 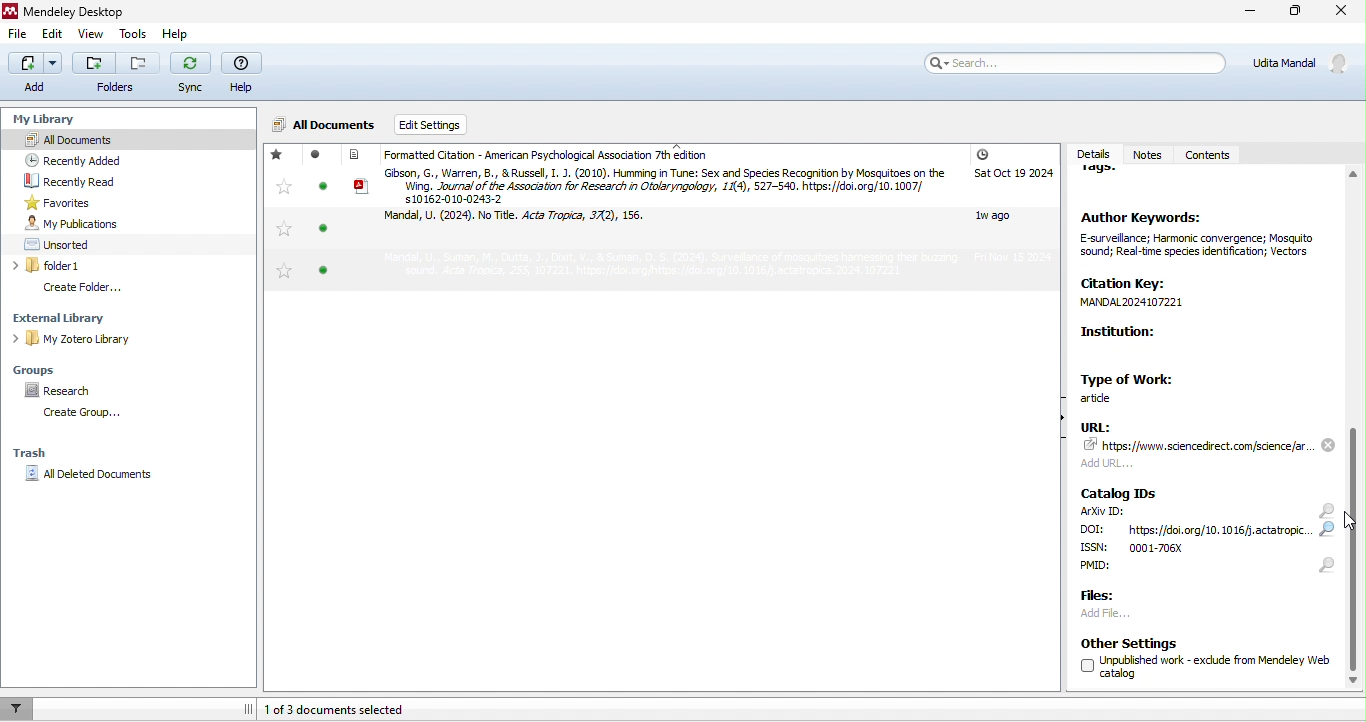 What do you see at coordinates (1343, 14) in the screenshot?
I see `close` at bounding box center [1343, 14].